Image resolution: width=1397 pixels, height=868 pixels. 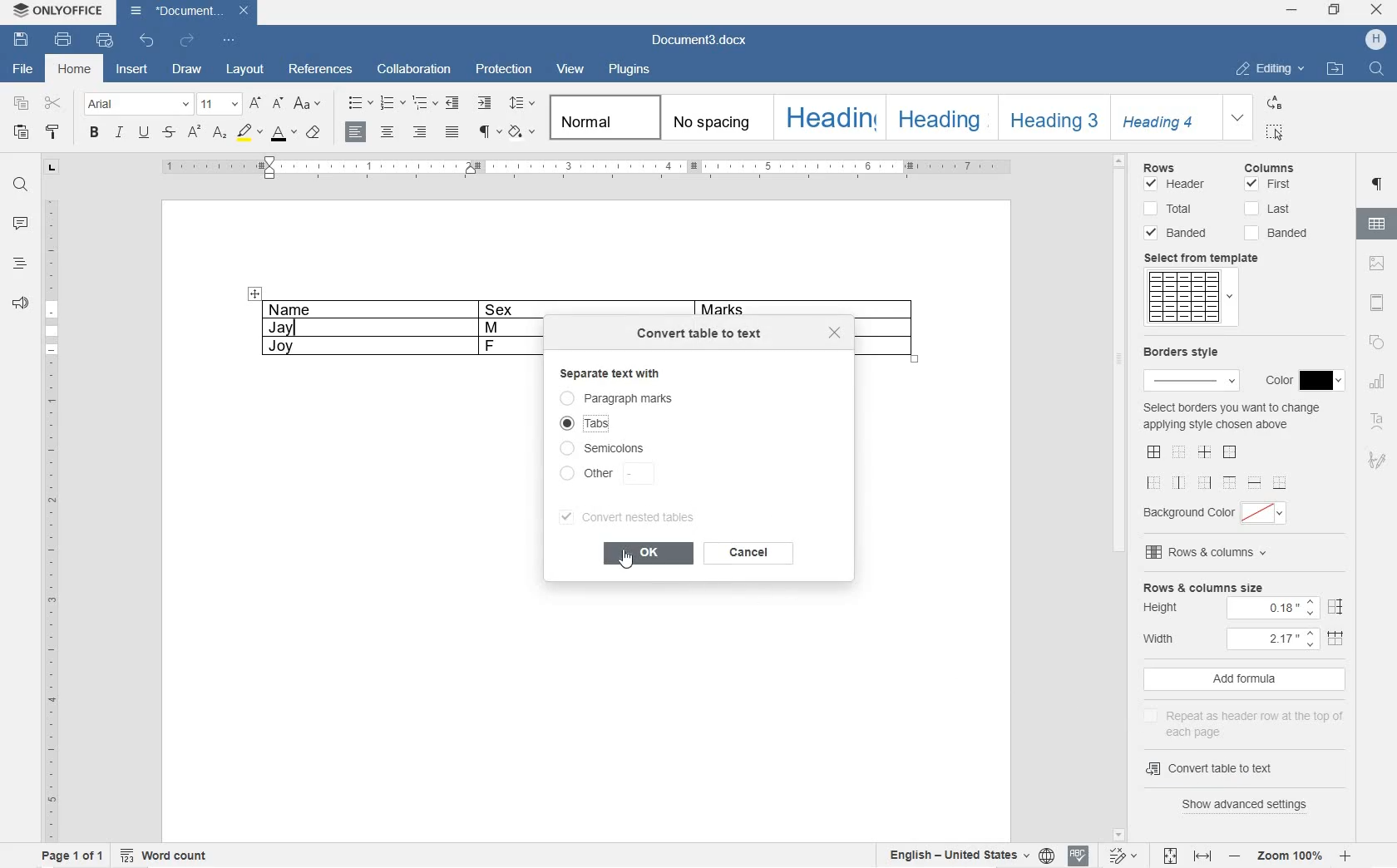 I want to click on UNDO, so click(x=147, y=42).